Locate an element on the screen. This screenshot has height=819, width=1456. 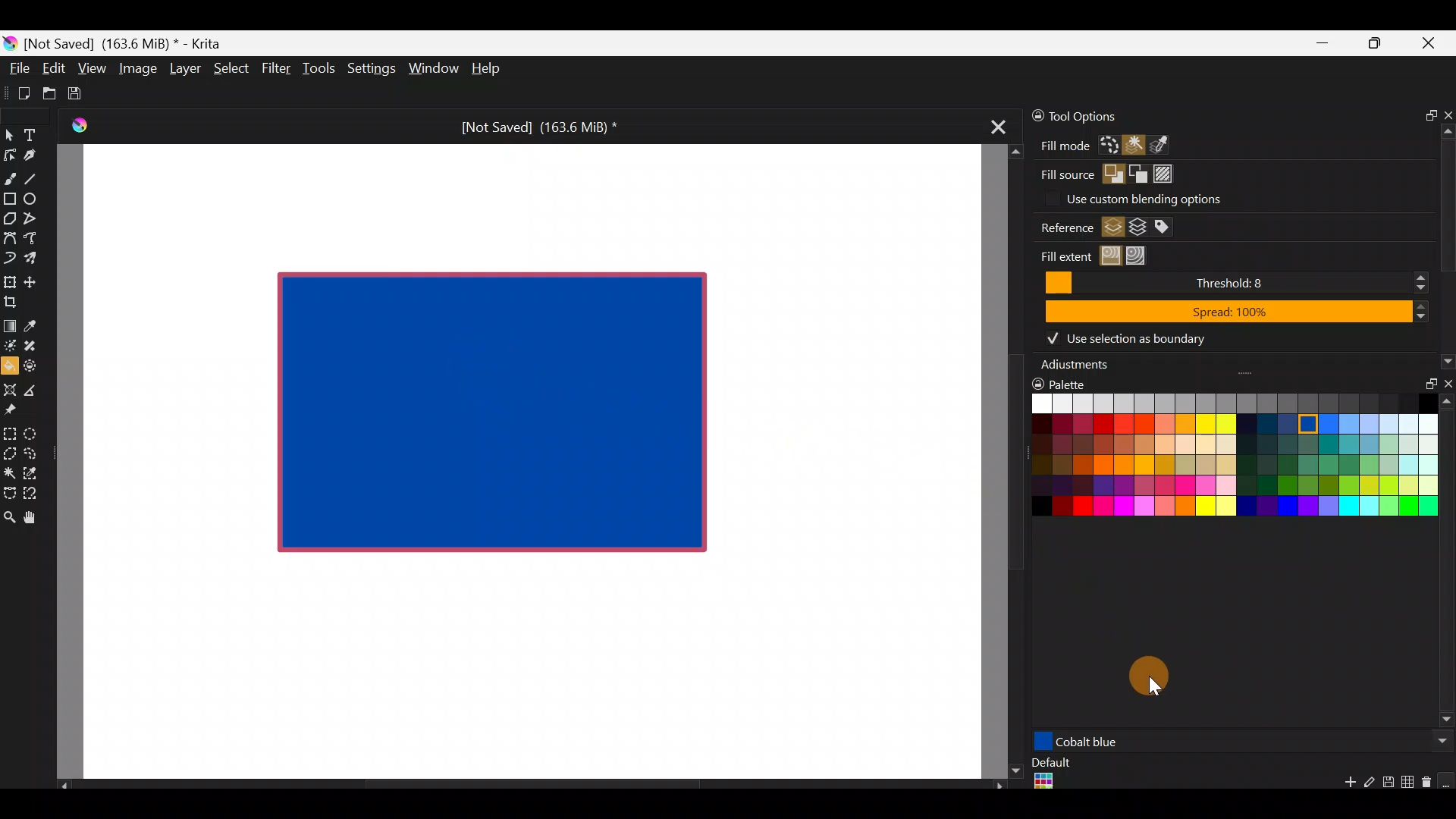
Ellipse tool is located at coordinates (36, 198).